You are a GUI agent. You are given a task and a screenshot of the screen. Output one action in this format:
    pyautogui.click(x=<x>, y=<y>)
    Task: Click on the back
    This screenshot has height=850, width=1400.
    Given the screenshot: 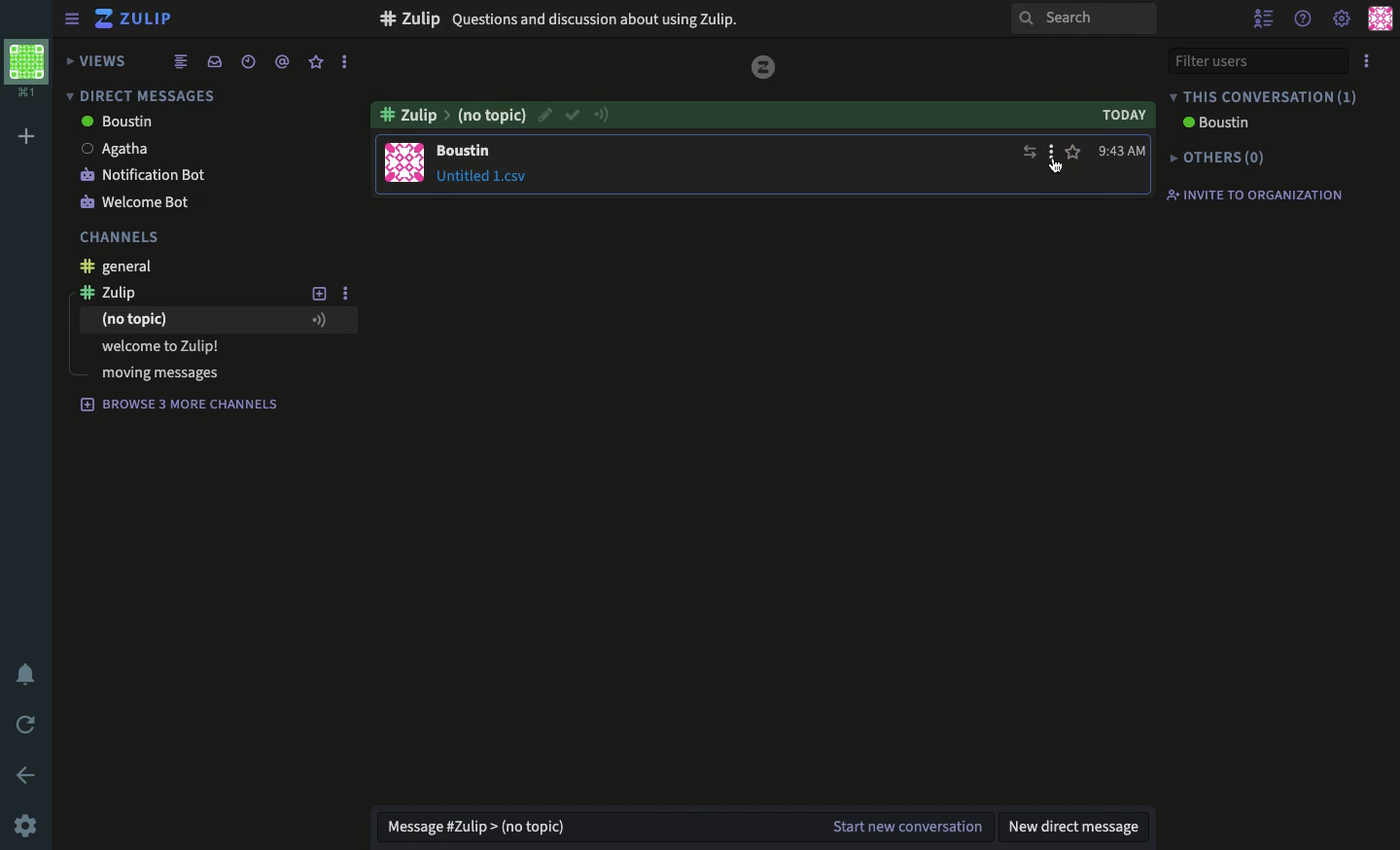 What is the action you would take?
    pyautogui.click(x=25, y=773)
    